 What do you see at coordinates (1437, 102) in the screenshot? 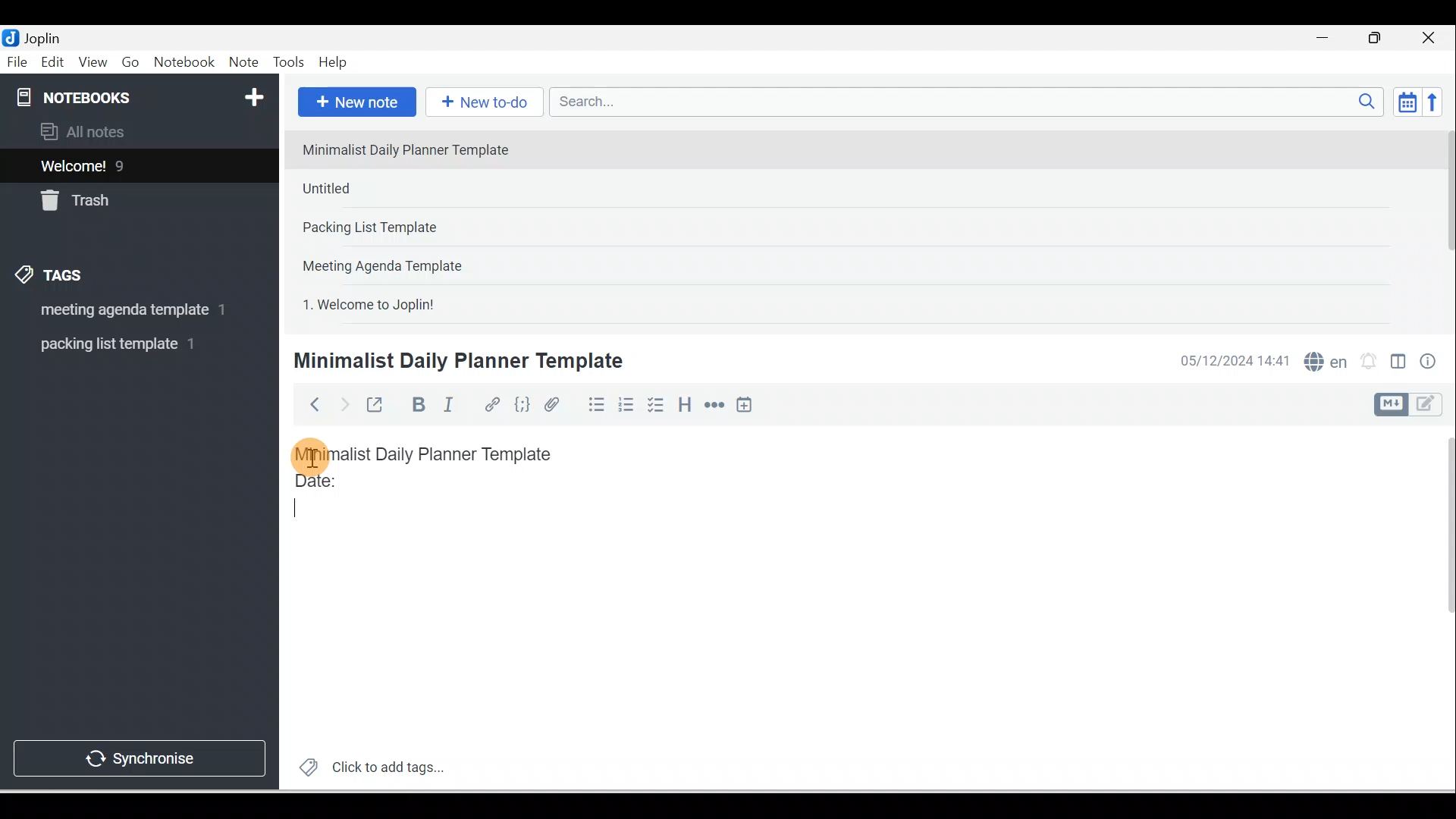
I see `Reverse sort` at bounding box center [1437, 102].